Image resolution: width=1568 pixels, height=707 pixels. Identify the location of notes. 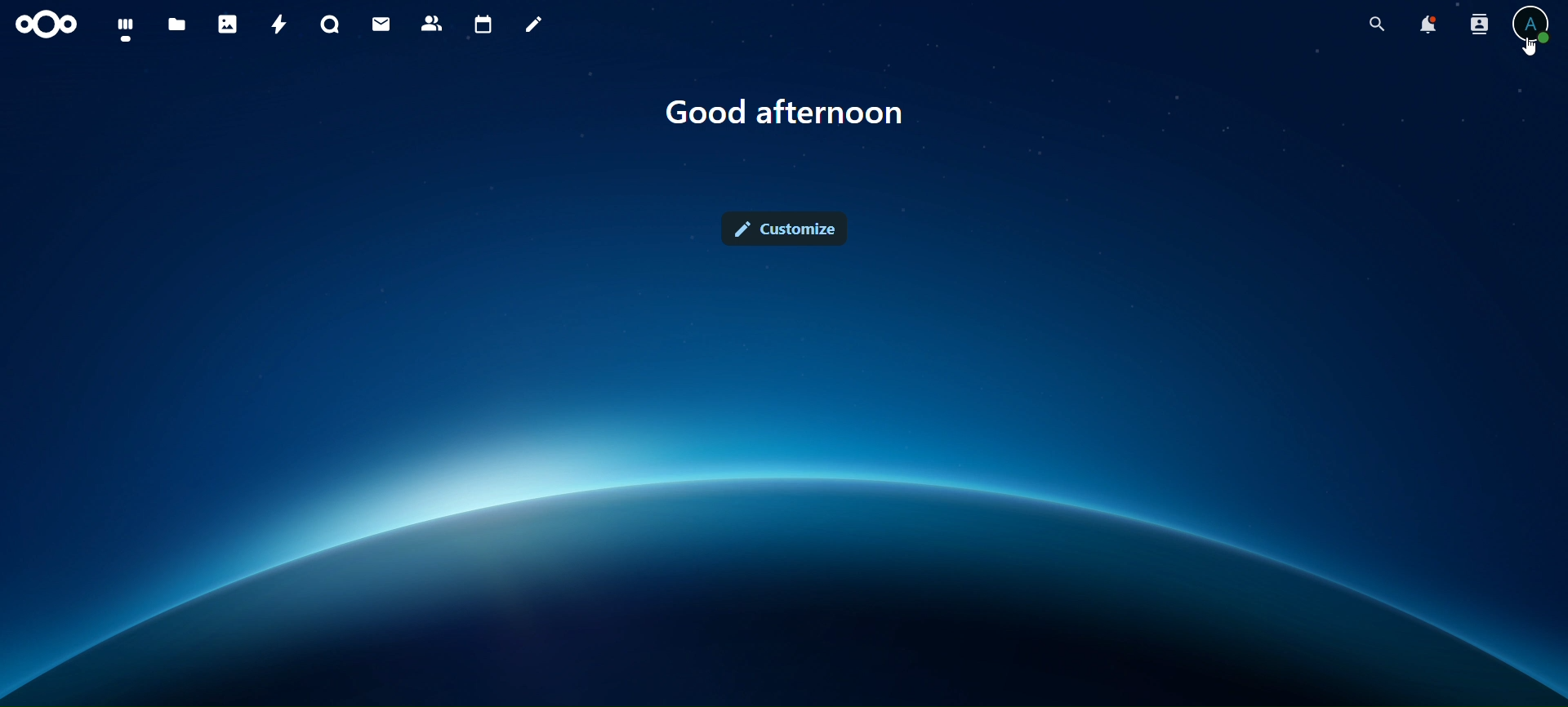
(532, 26).